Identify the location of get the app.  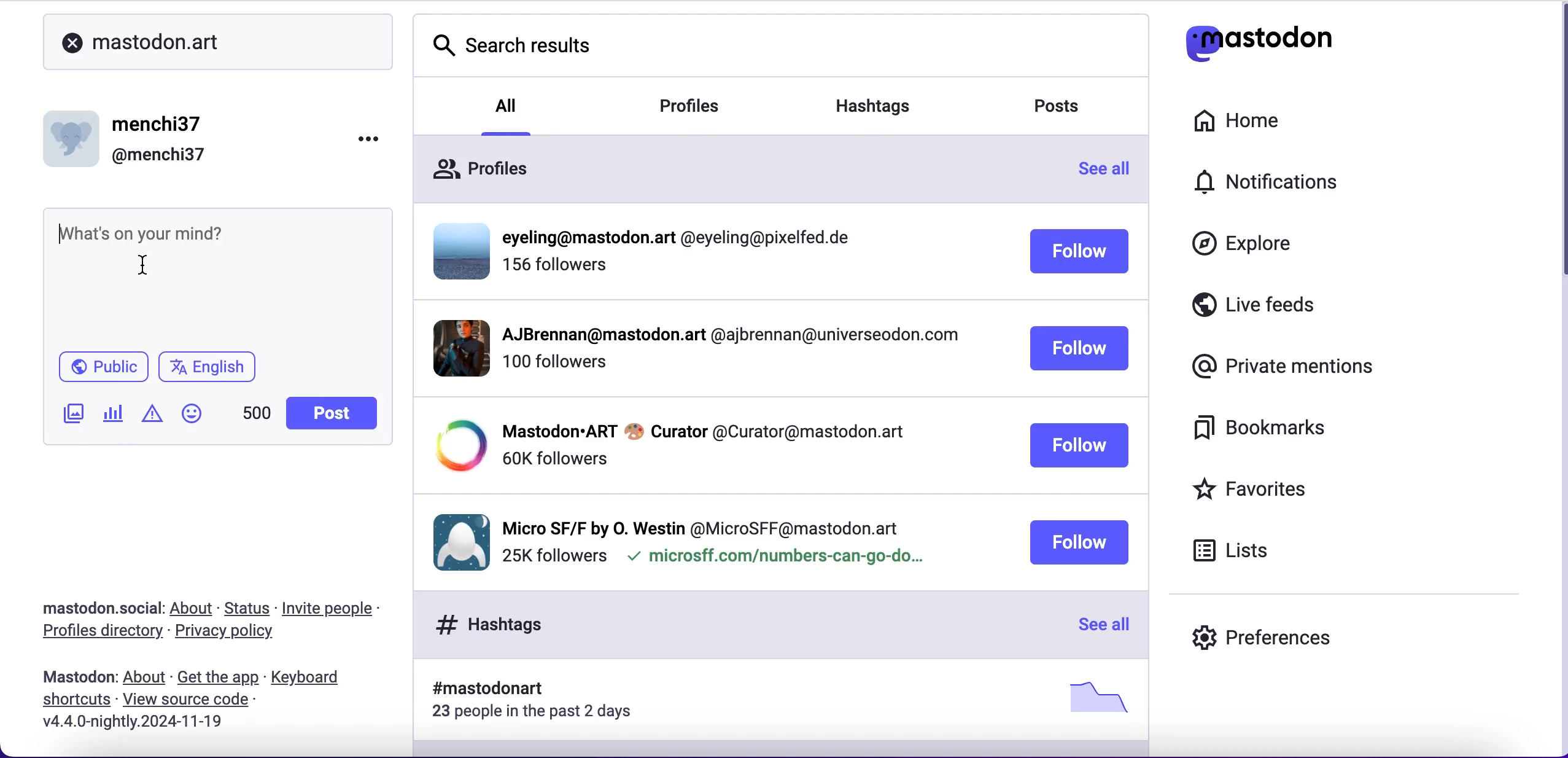
(217, 678).